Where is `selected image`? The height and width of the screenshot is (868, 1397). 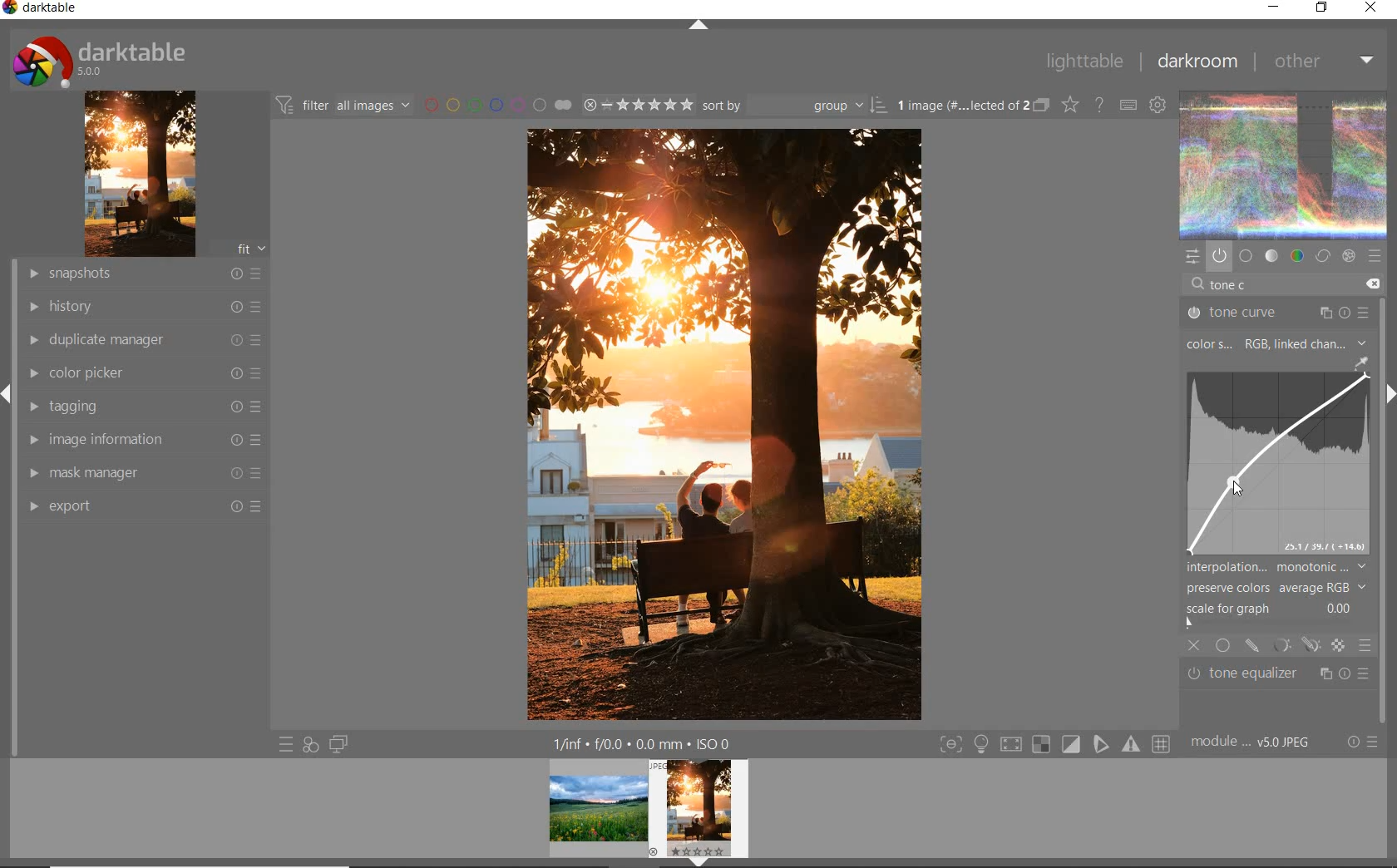 selected image is located at coordinates (706, 426).